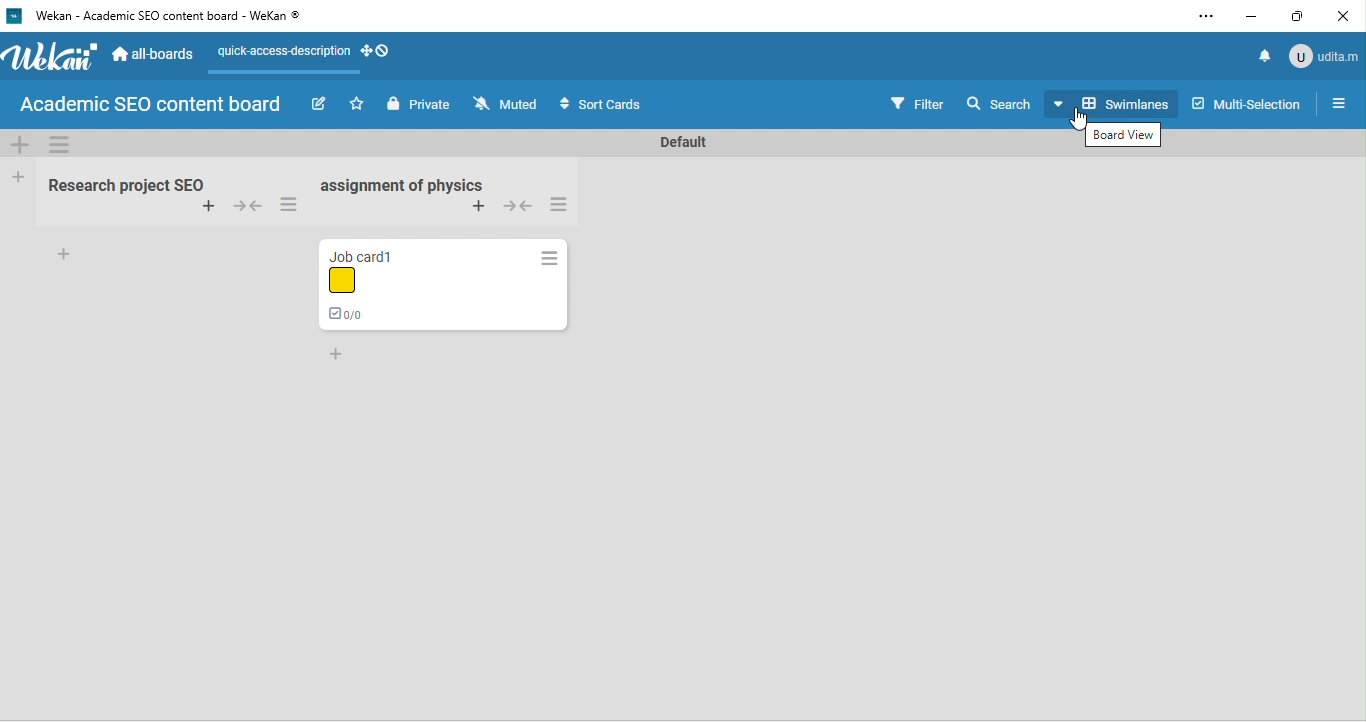 This screenshot has width=1366, height=722. I want to click on notification, so click(1267, 55).